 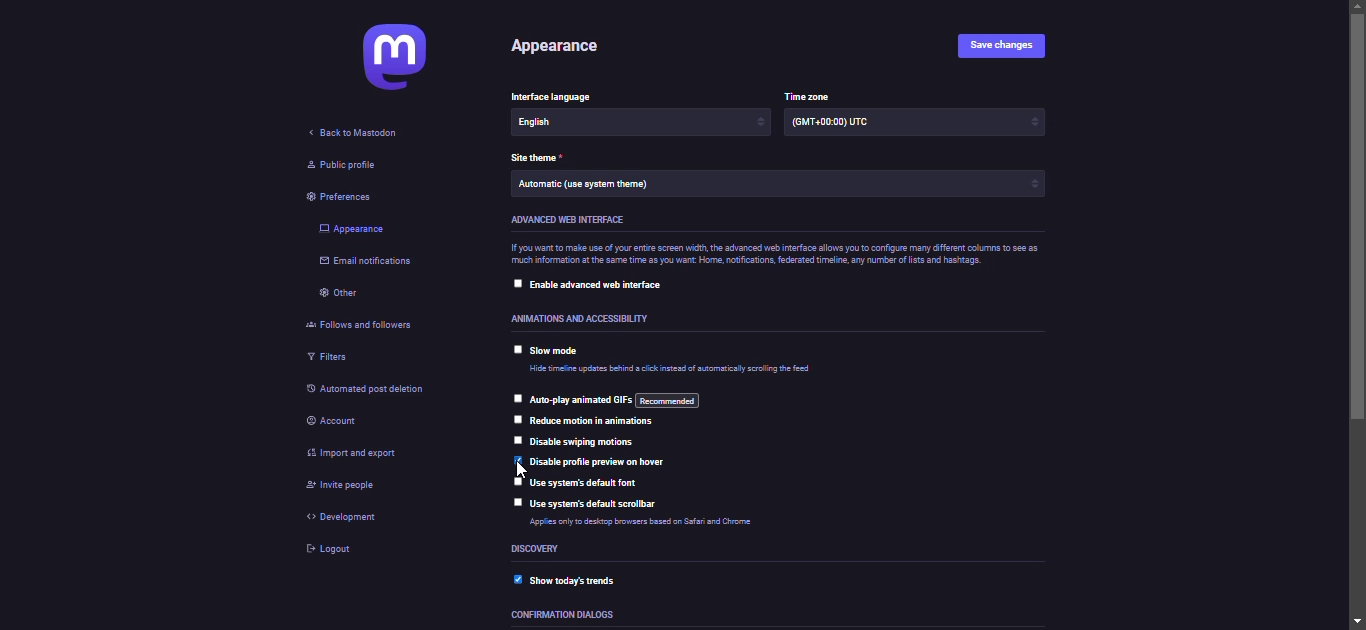 I want to click on enable advanced web interface, so click(x=605, y=286).